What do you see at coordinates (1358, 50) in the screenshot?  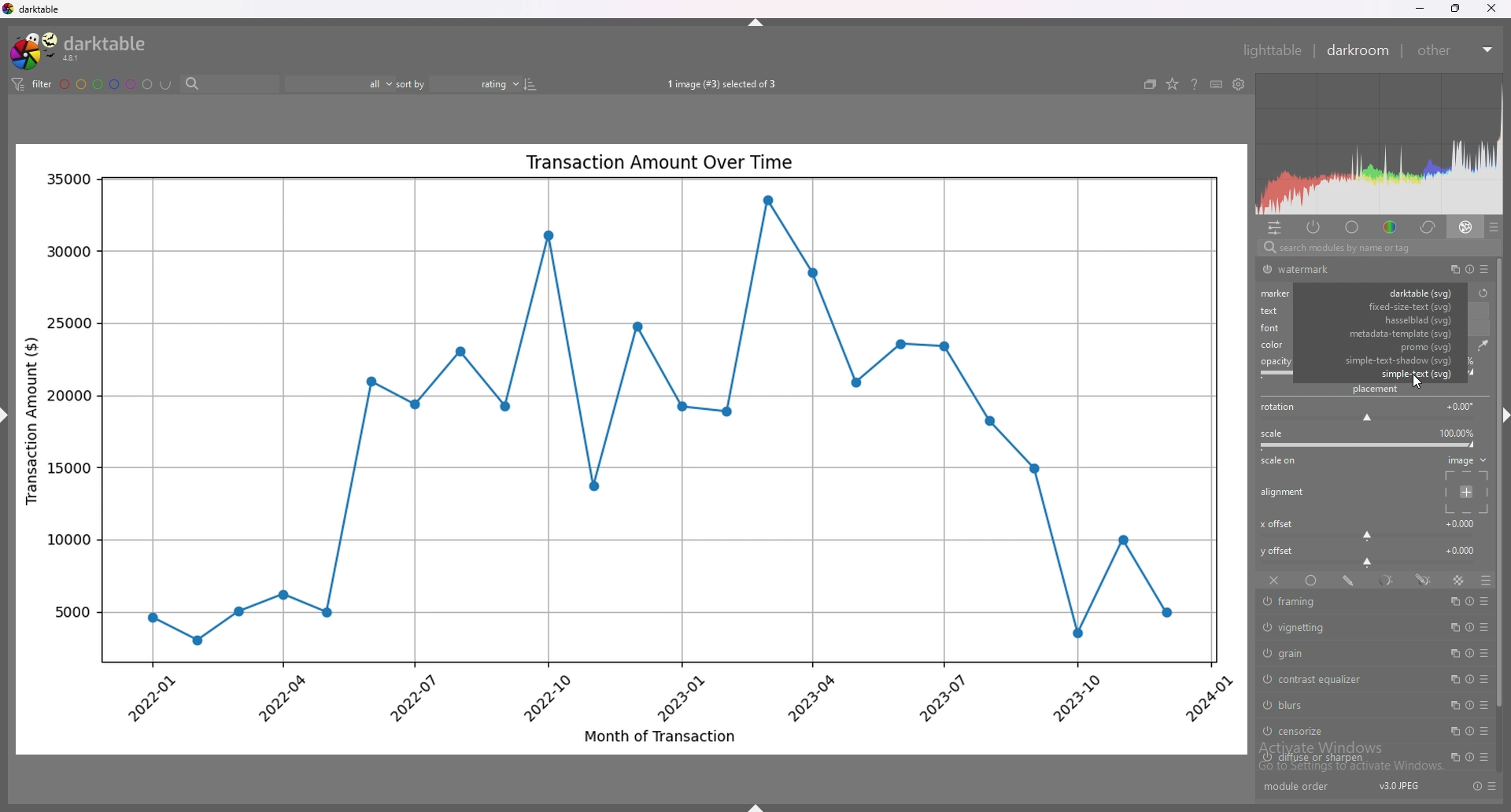 I see `darkroom` at bounding box center [1358, 50].